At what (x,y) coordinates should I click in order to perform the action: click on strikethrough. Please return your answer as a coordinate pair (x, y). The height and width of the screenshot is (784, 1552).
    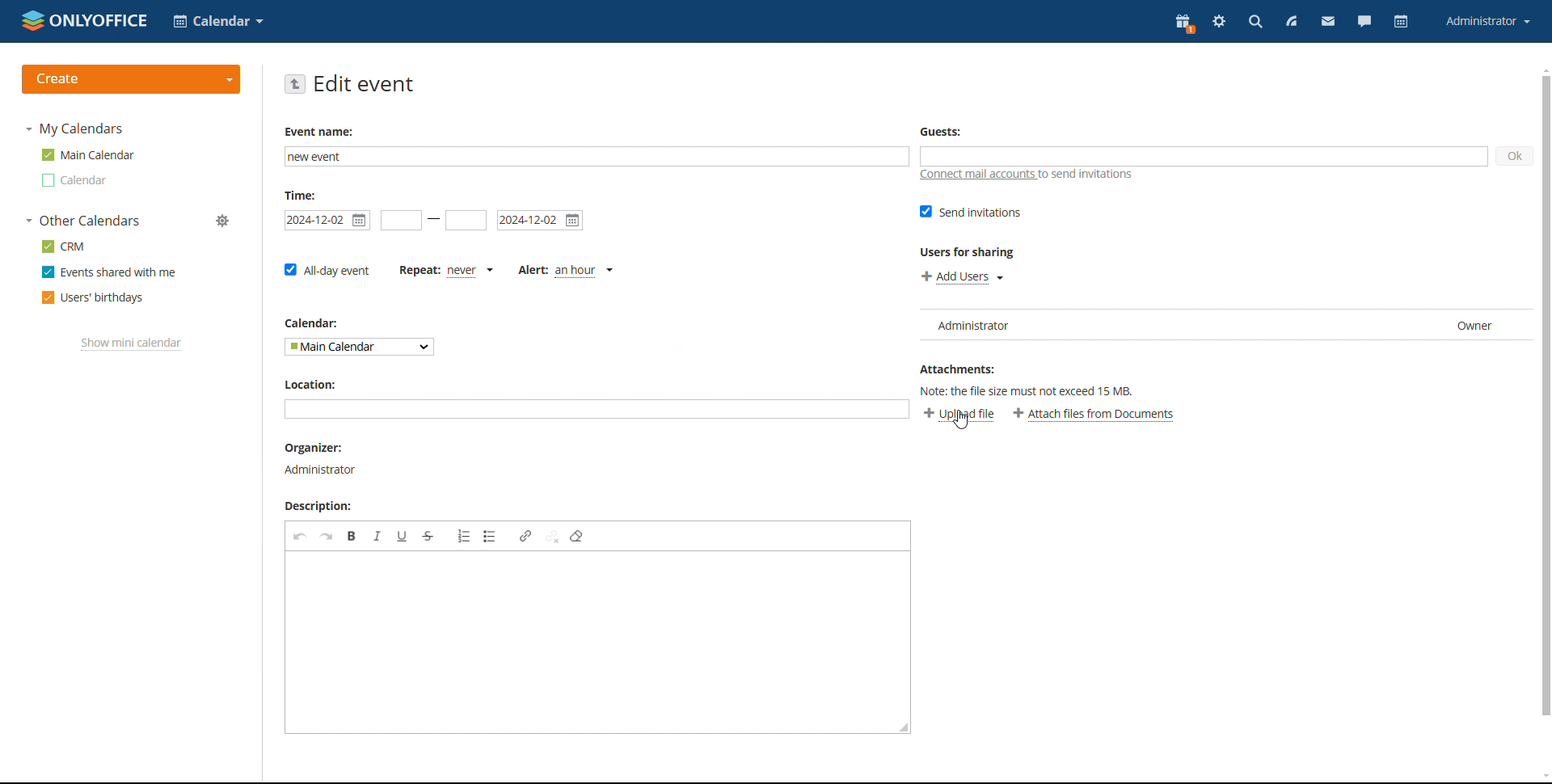
    Looking at the image, I should click on (428, 537).